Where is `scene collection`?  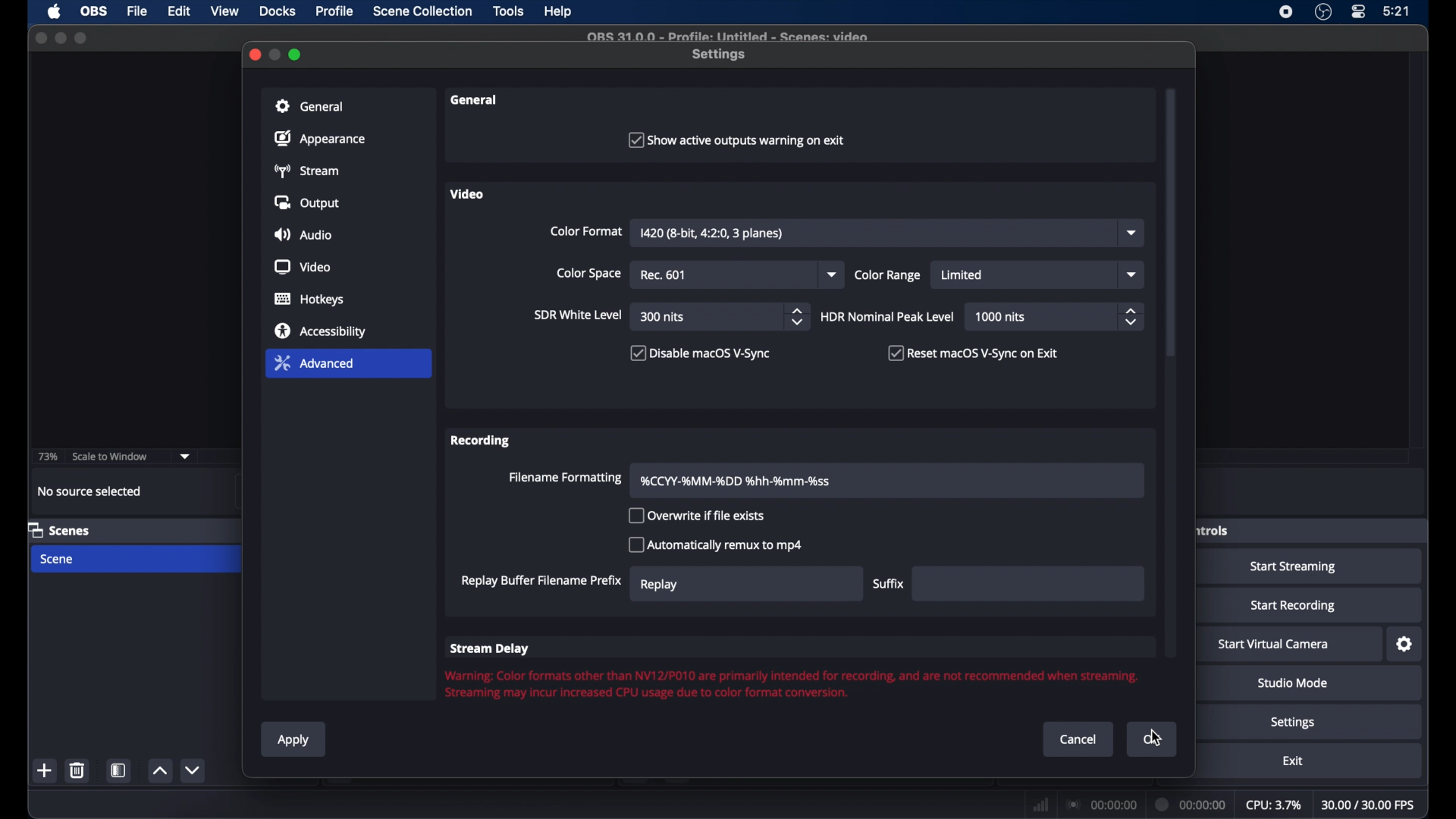 scene collection is located at coordinates (422, 12).